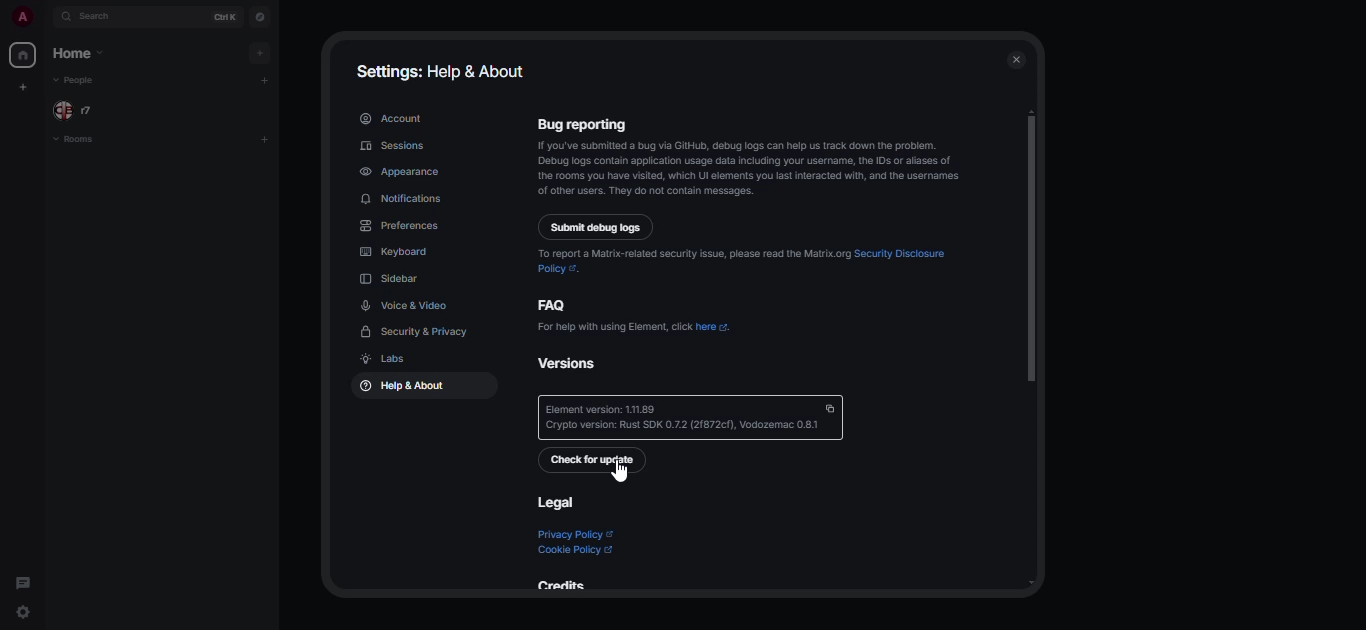 This screenshot has width=1366, height=630. Describe the element at coordinates (749, 156) in the screenshot. I see `Bug reporting

you've submited a bug via Gib, debug 09s can help us rack down the problem.
Debug ogs contain application usage daa ncuding your username, he 03 o alases of
1a rooms you have isted, which UI lements you ast interacted with, and the usernames
of other users. Thay do not contain messeges.` at that location.